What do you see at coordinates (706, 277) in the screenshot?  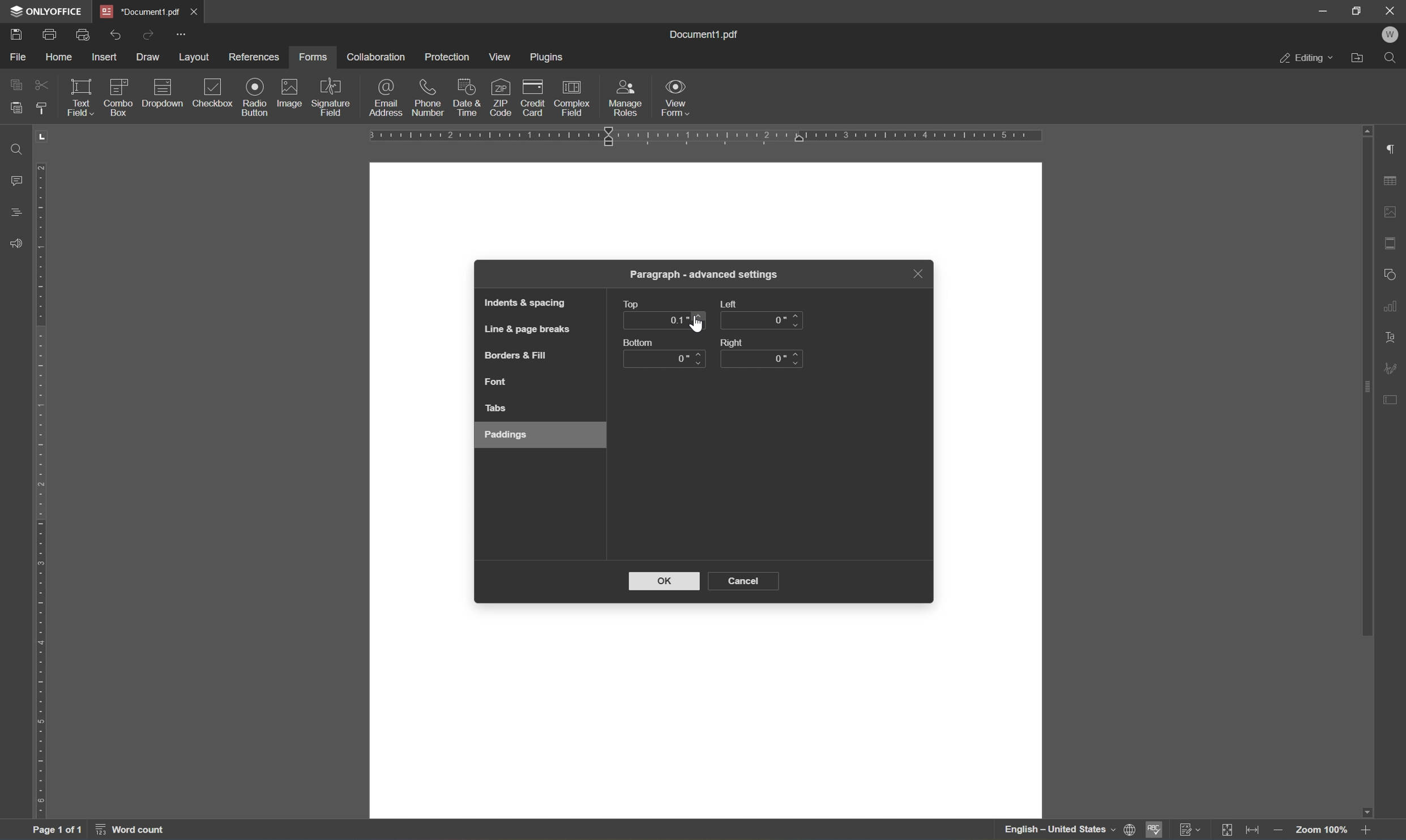 I see `paragraph - advanced settings` at bounding box center [706, 277].